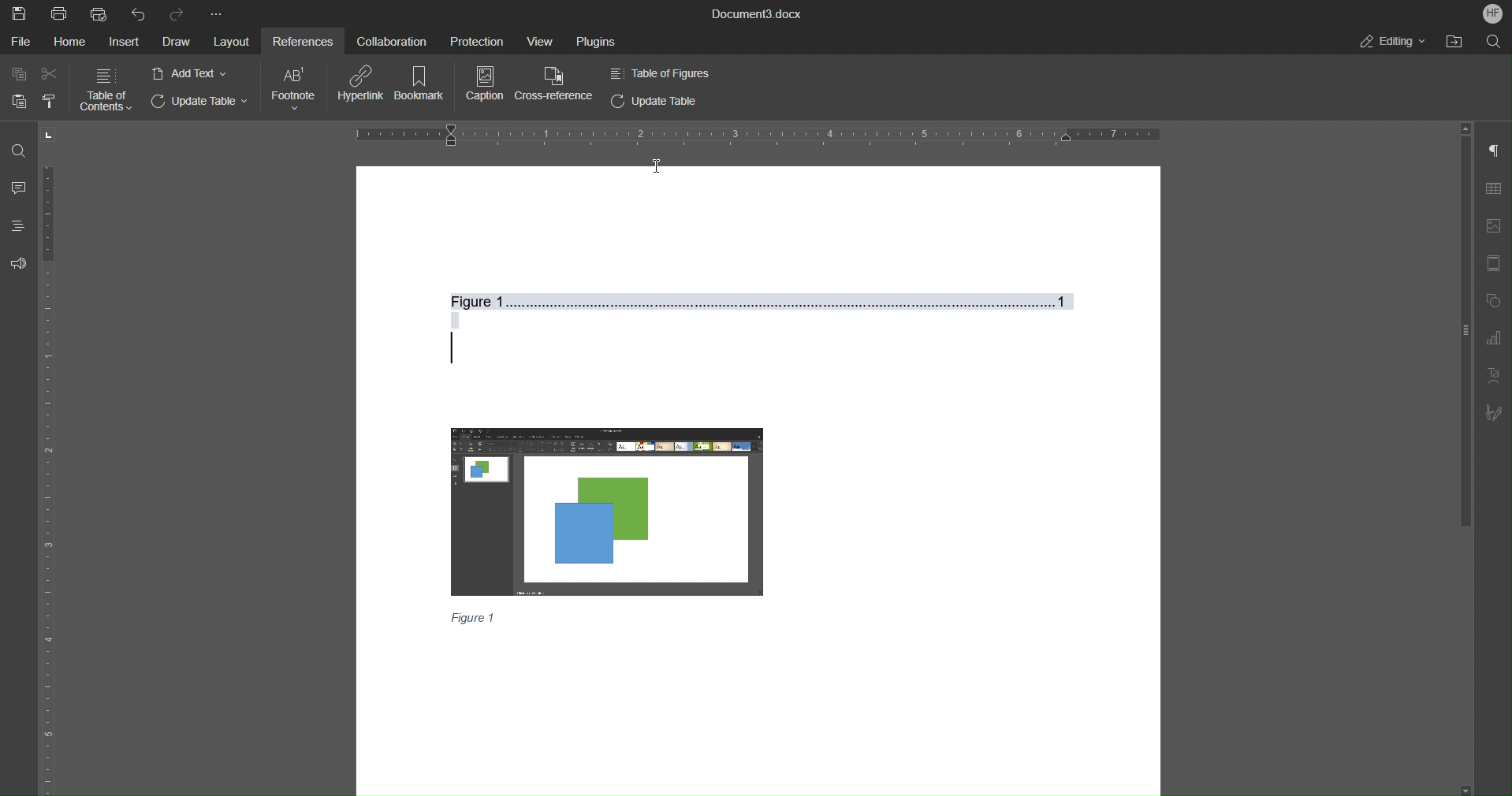 Image resolution: width=1512 pixels, height=796 pixels. Describe the element at coordinates (15, 101) in the screenshot. I see `Paste` at that location.